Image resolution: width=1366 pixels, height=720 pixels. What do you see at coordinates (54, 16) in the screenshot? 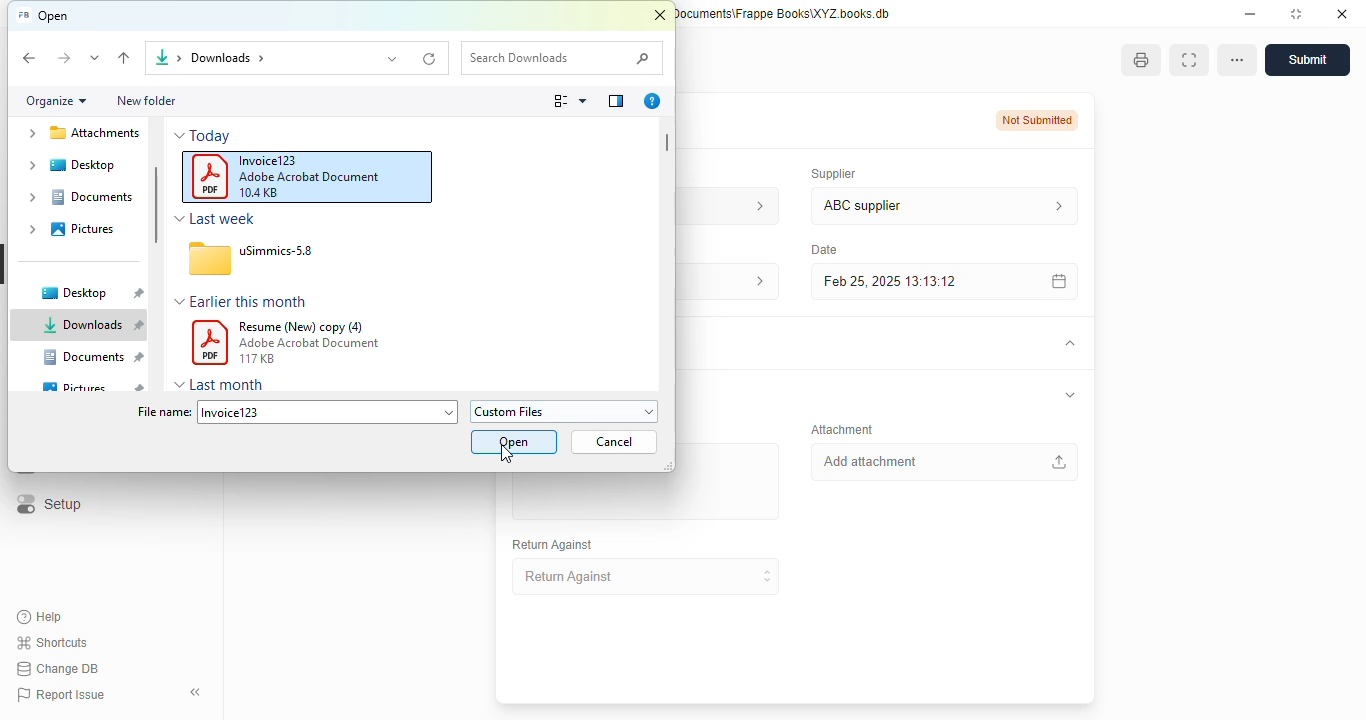
I see `open` at bounding box center [54, 16].